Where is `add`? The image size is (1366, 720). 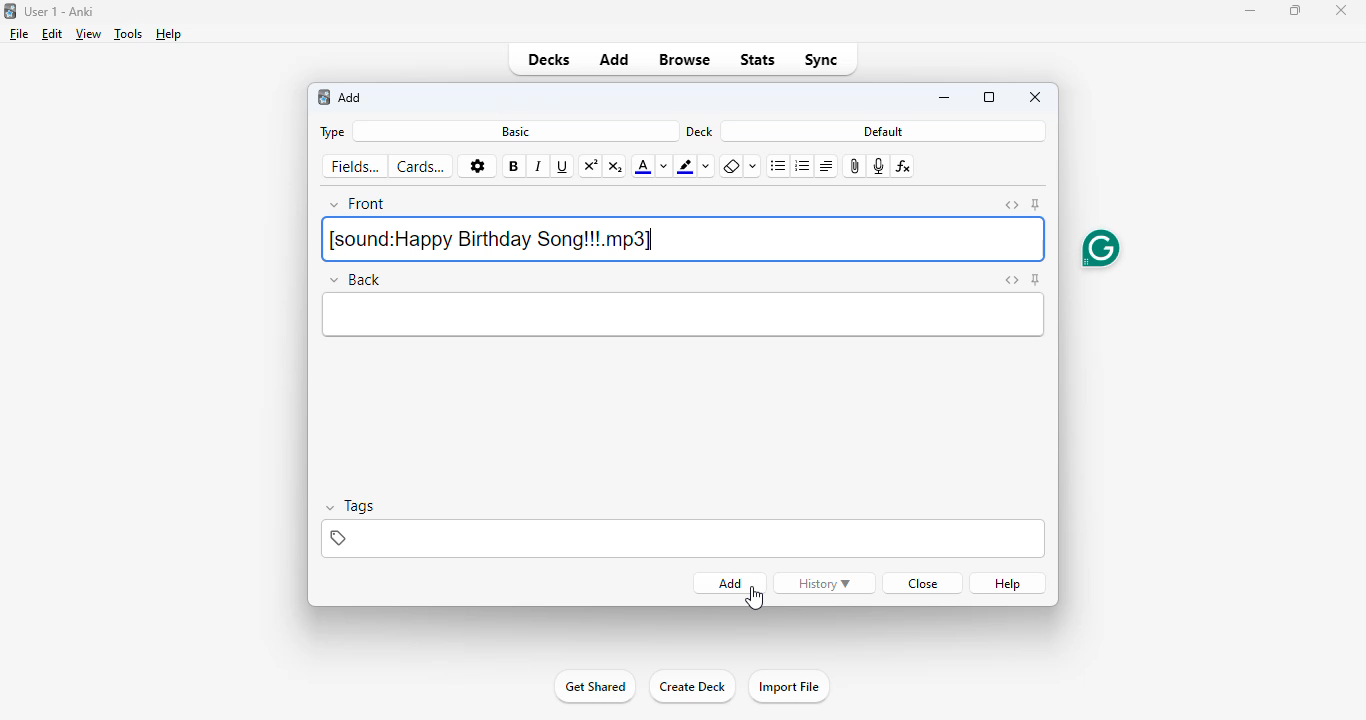 add is located at coordinates (351, 97).